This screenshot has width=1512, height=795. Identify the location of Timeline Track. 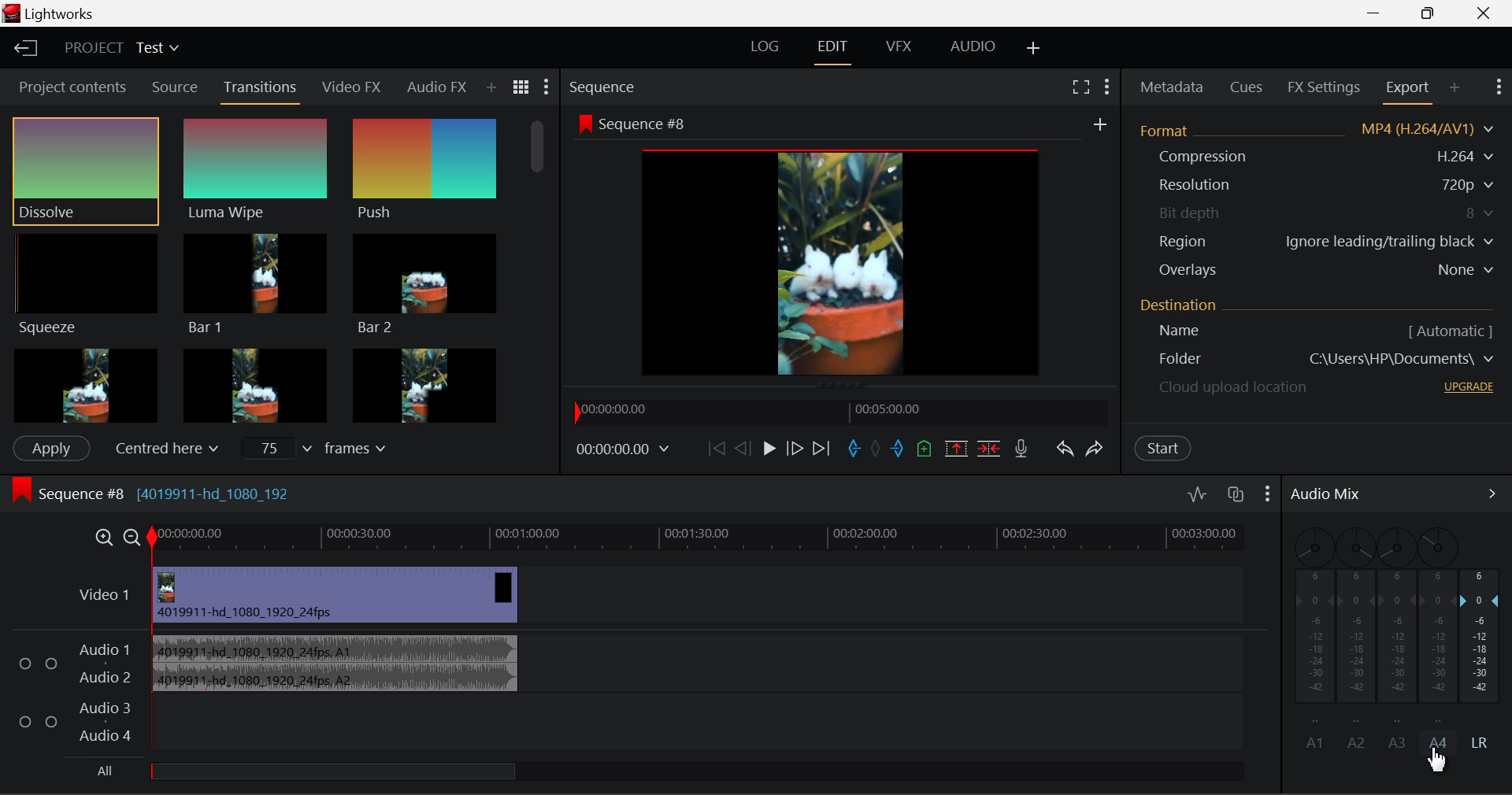
(712, 539).